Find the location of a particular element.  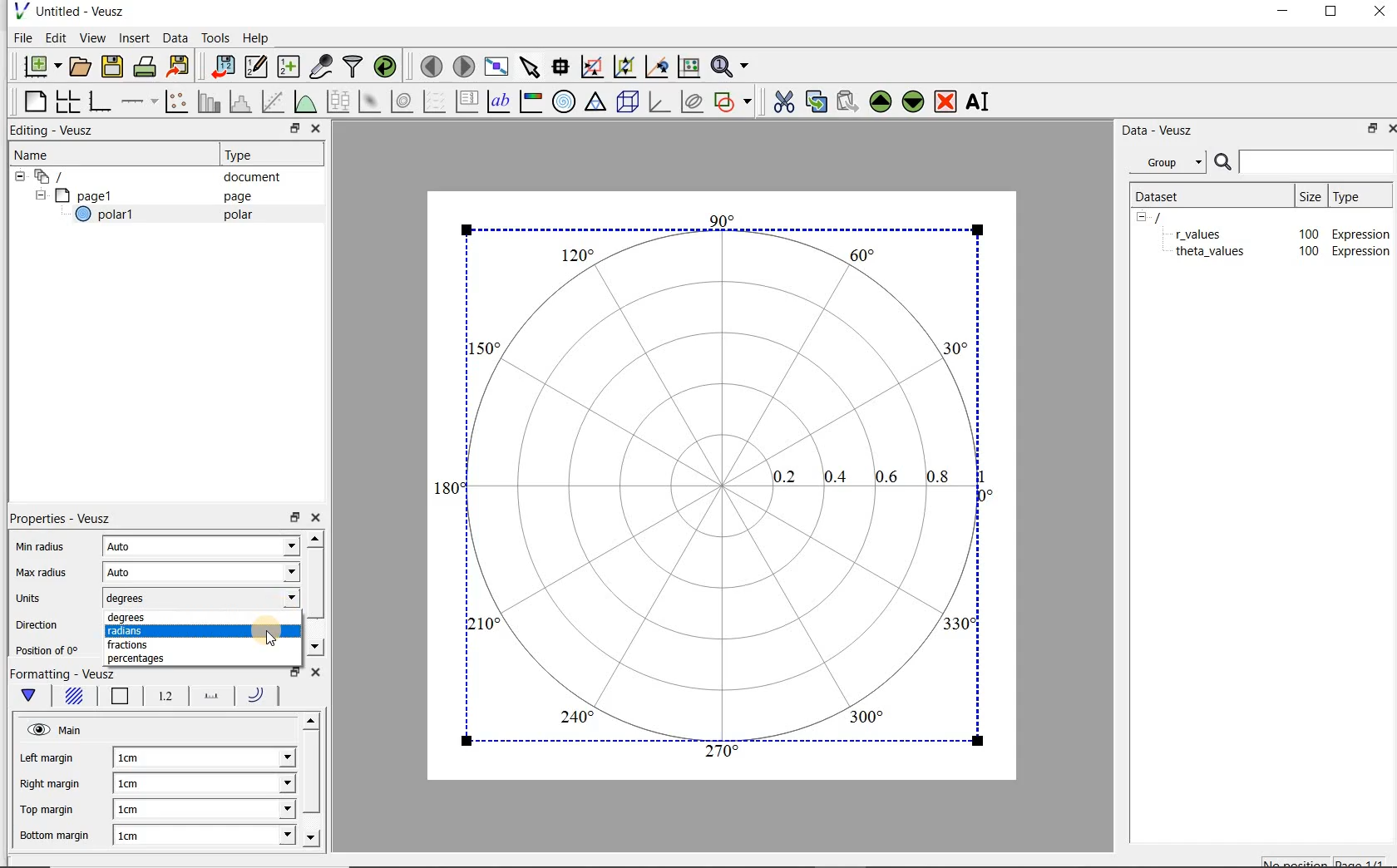

radians is located at coordinates (202, 630).